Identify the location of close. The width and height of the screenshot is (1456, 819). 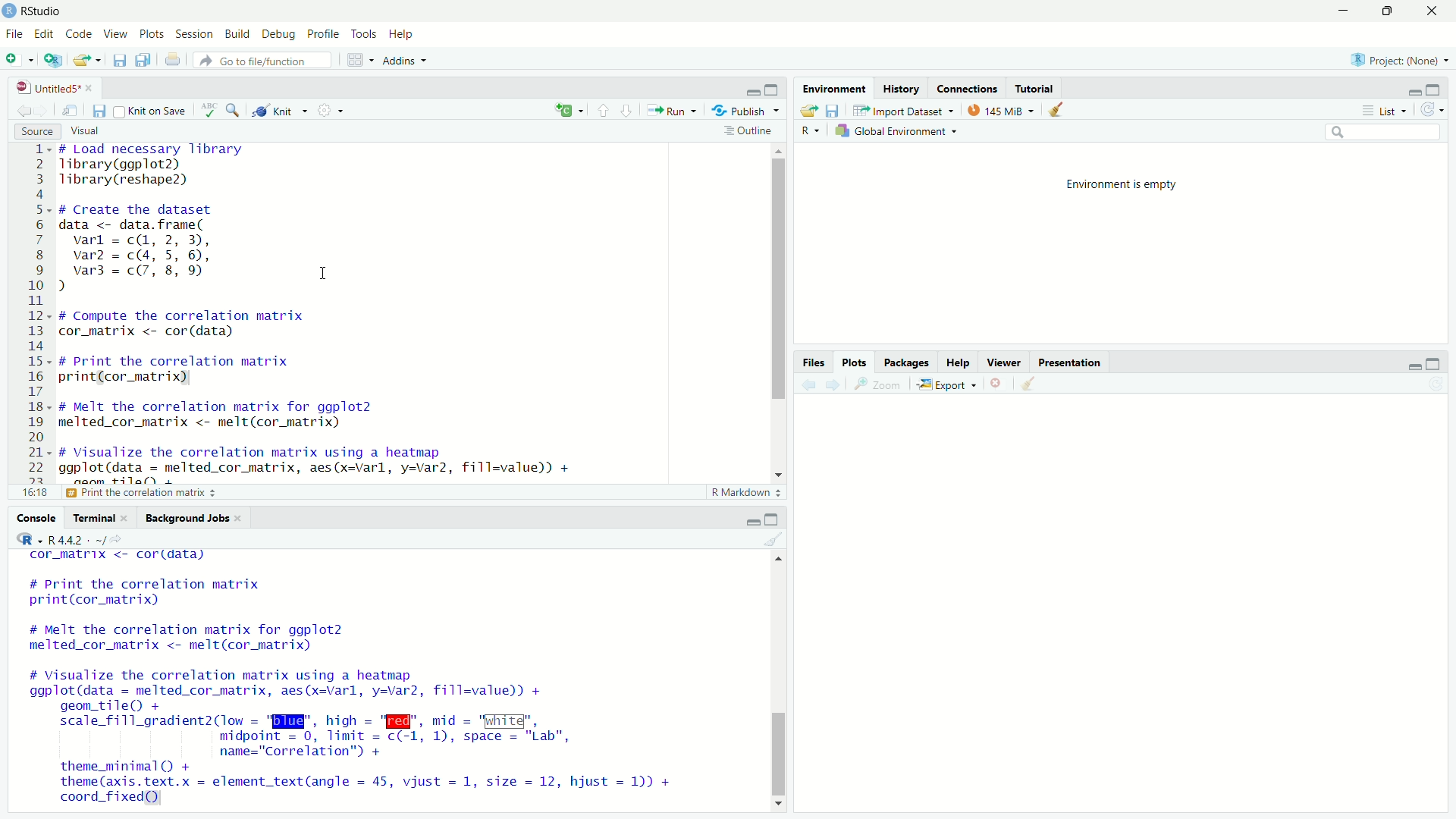
(1433, 11).